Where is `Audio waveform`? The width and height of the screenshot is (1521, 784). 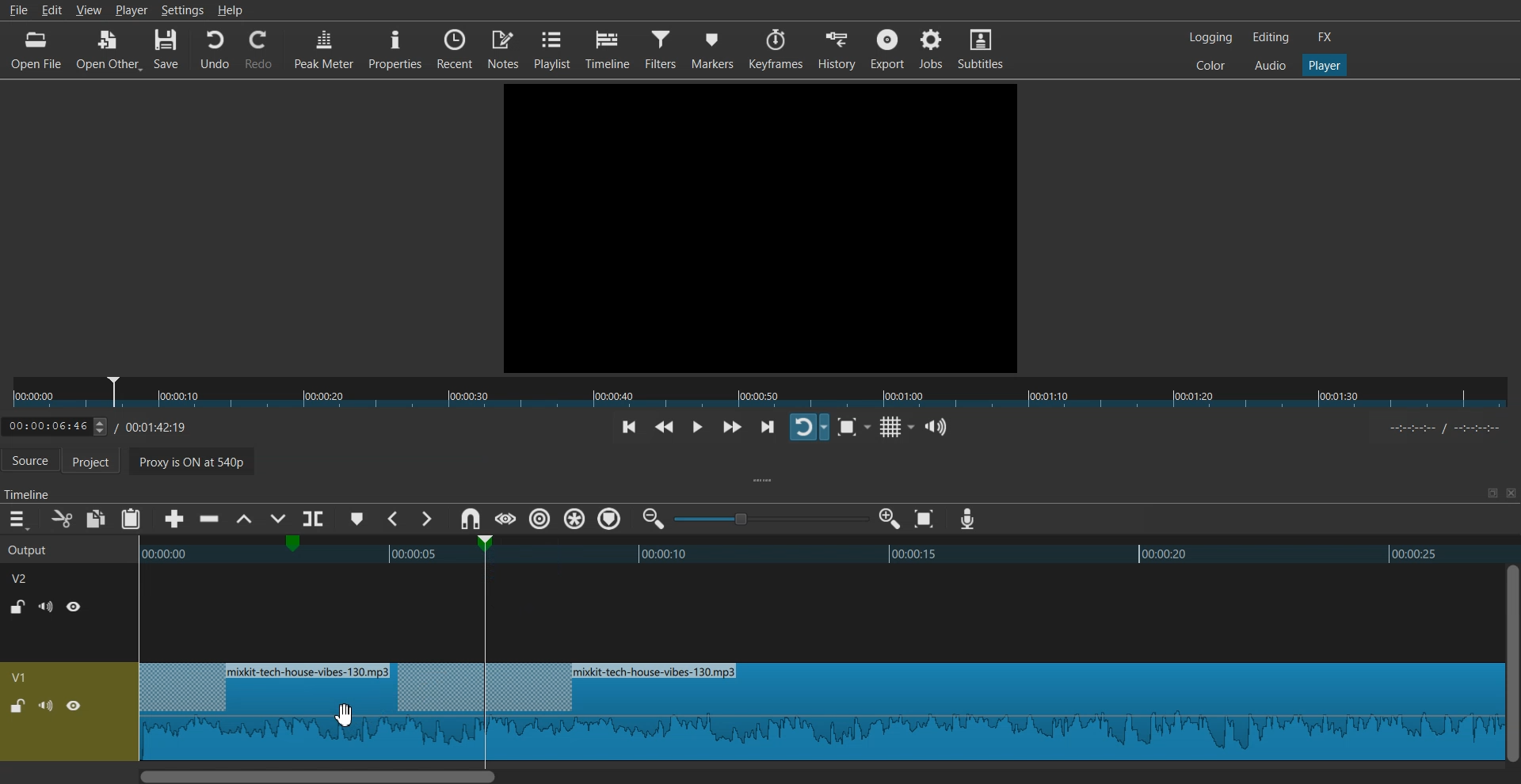 Audio waveform is located at coordinates (817, 713).